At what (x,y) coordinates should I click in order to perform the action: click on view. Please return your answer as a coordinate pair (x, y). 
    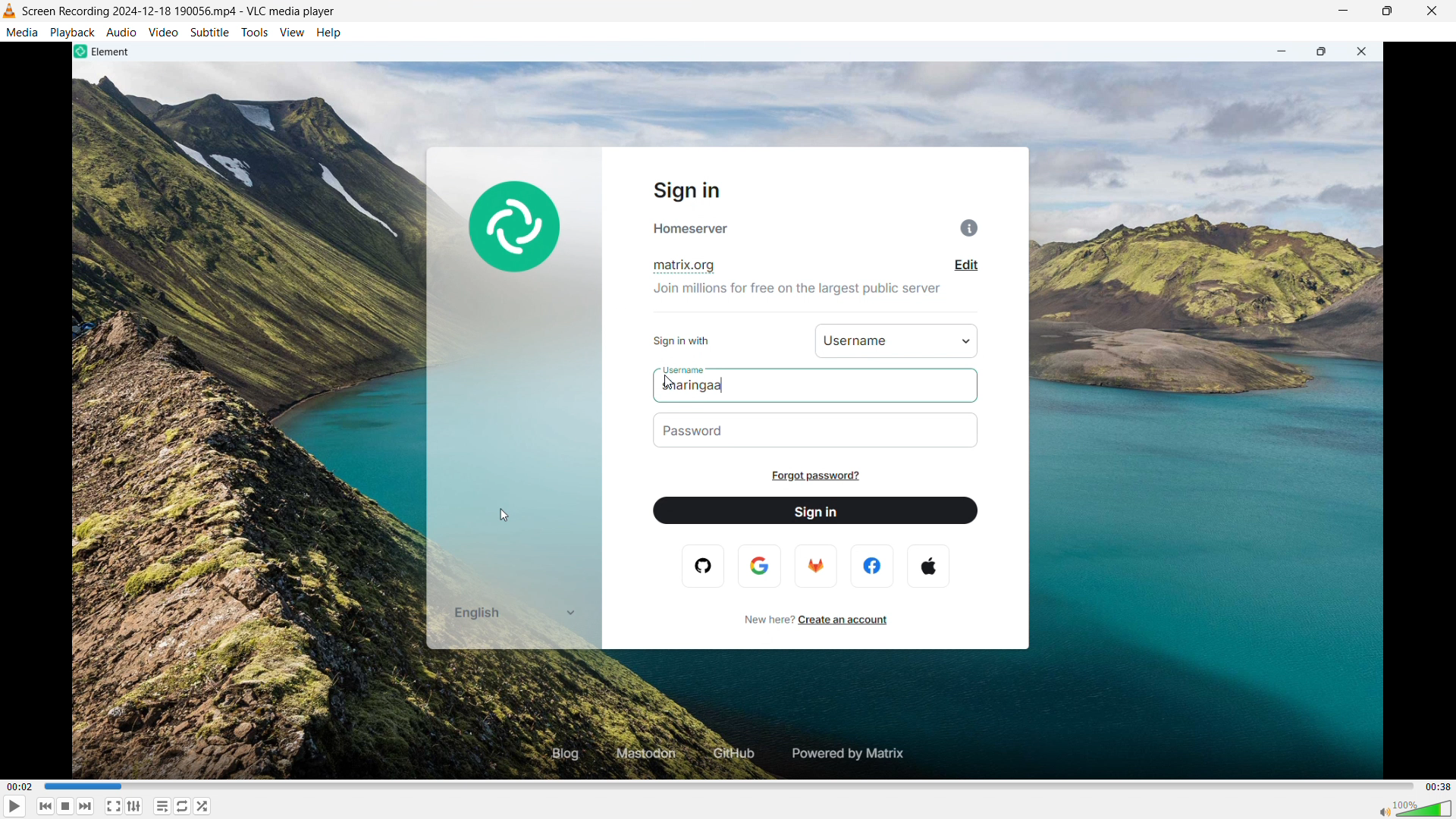
    Looking at the image, I should click on (293, 33).